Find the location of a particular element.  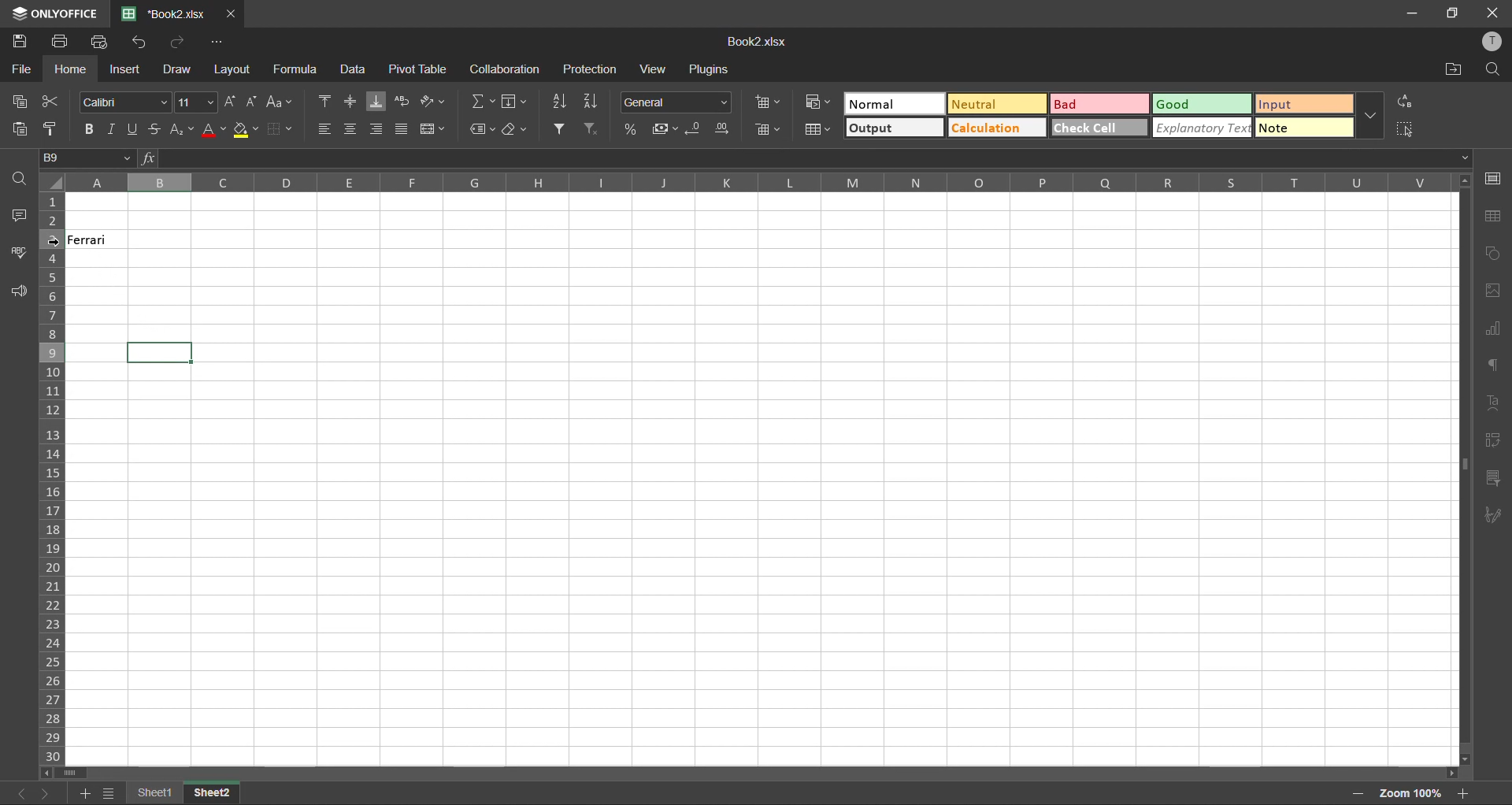

align right is located at coordinates (380, 129).